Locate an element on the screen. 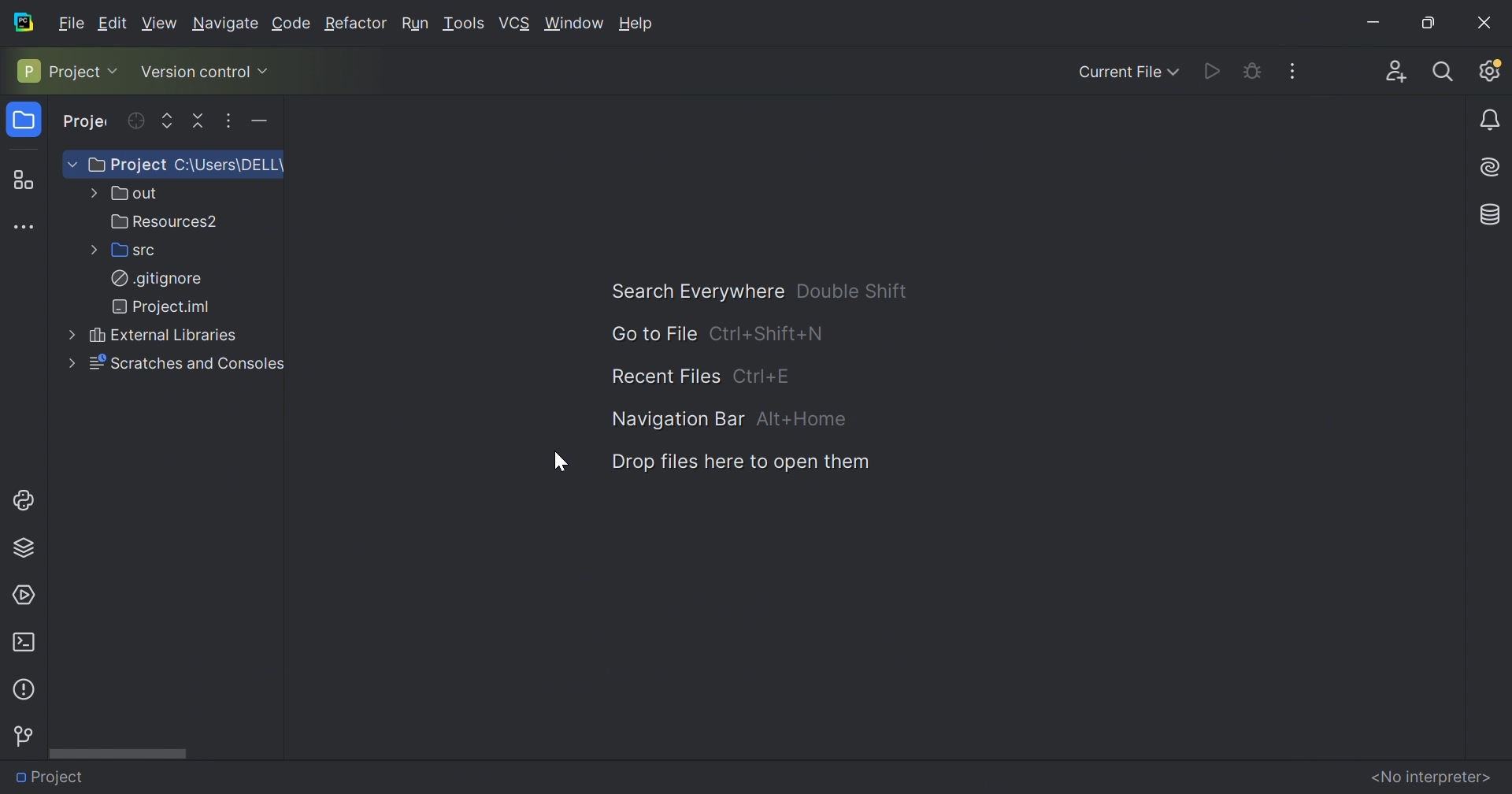  Expand selected is located at coordinates (168, 119).